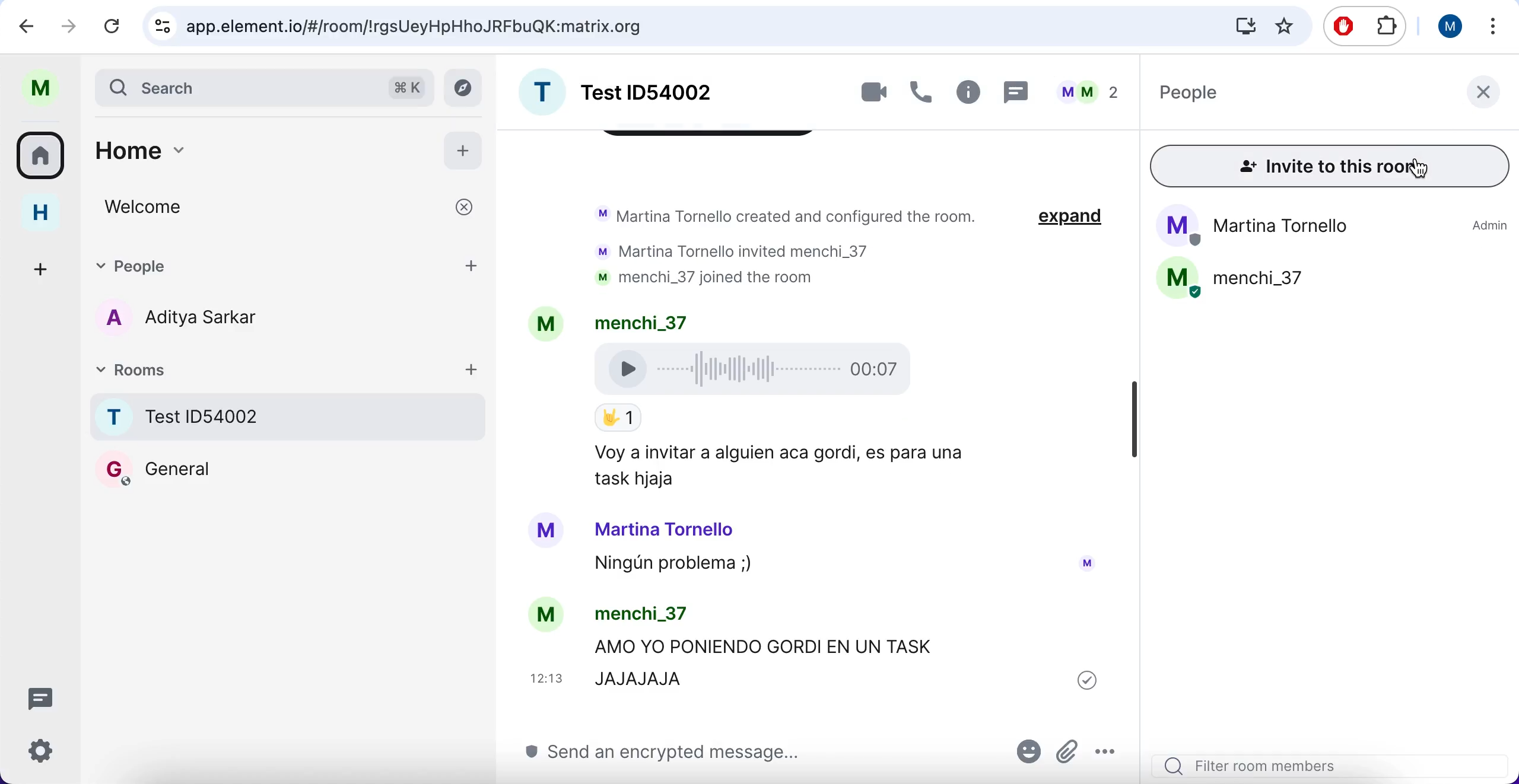 The height and width of the screenshot is (784, 1519). Describe the element at coordinates (1451, 27) in the screenshot. I see `user` at that location.